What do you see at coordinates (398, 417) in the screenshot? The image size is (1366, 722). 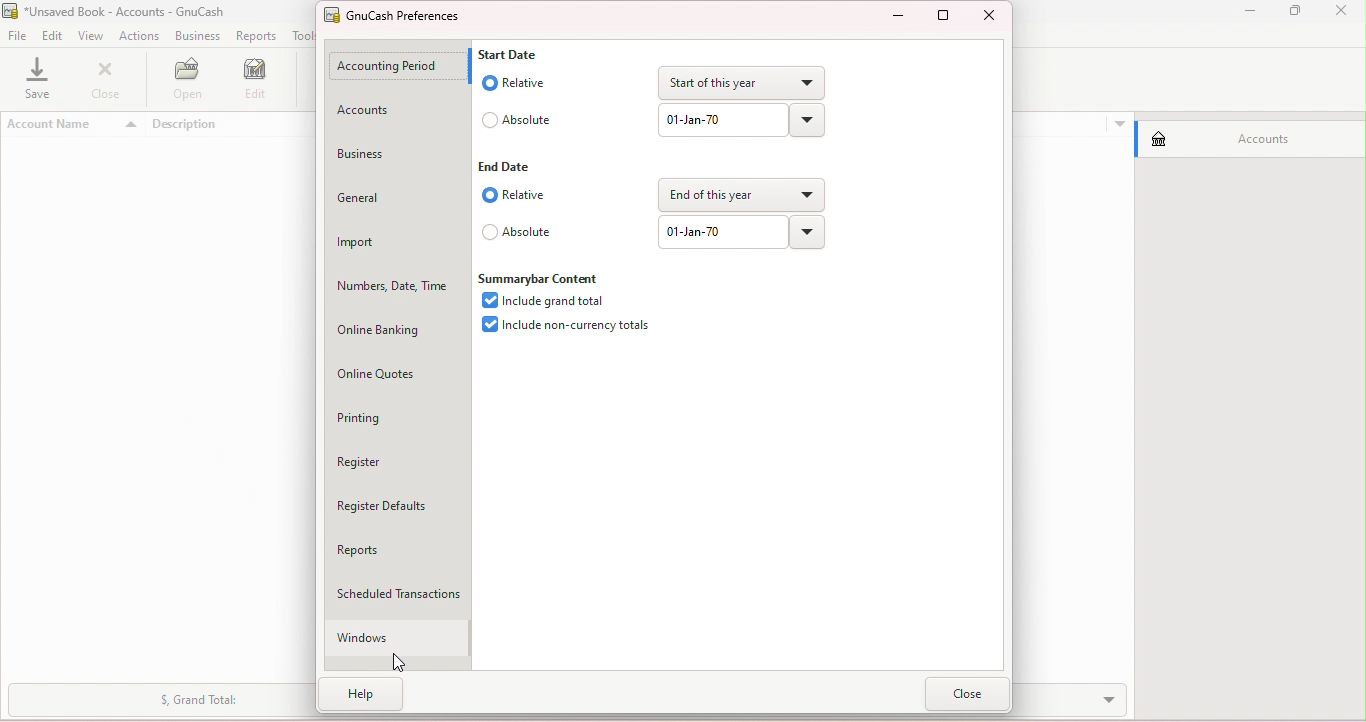 I see `Printing` at bounding box center [398, 417].